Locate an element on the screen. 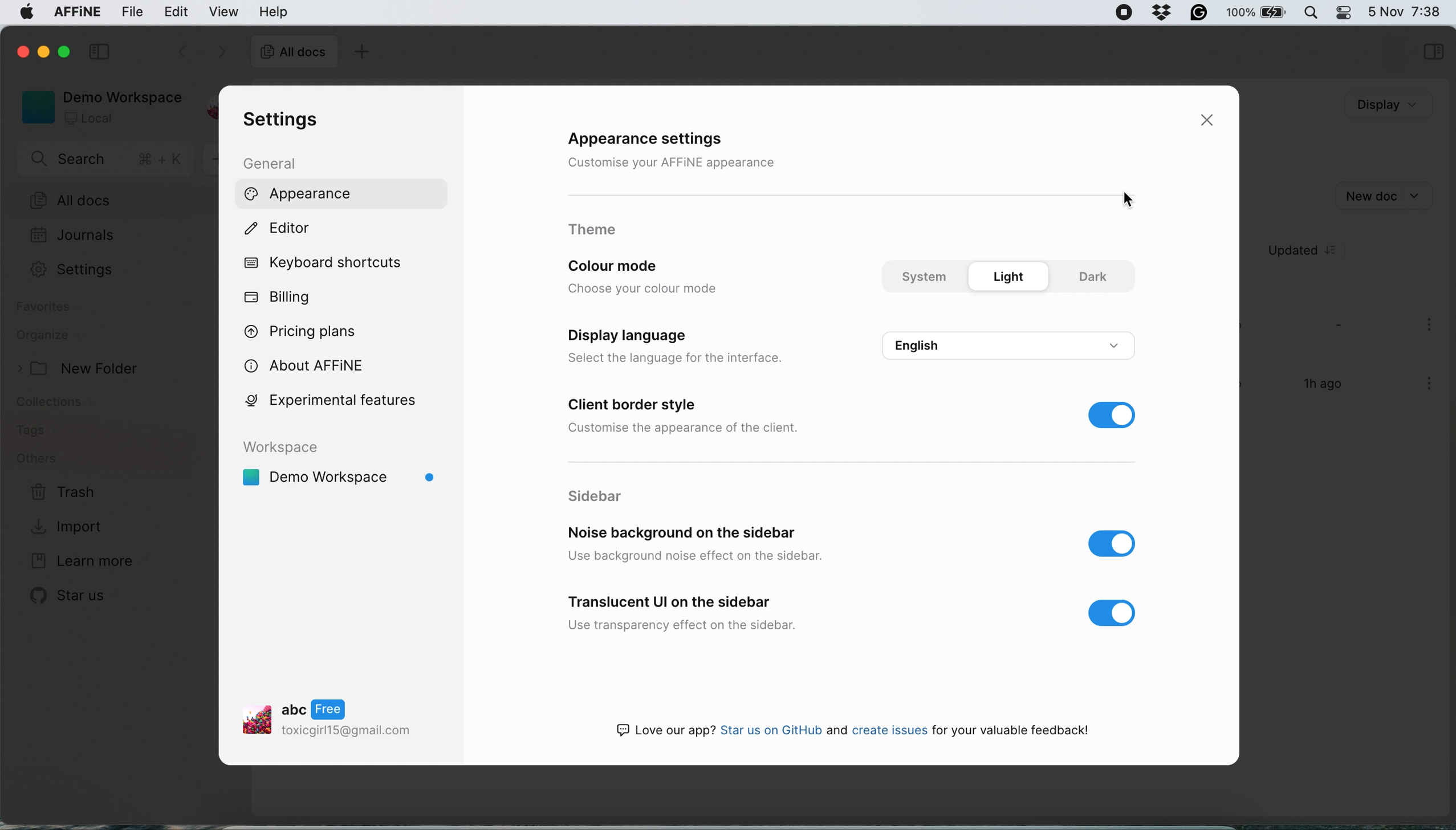  cursor is located at coordinates (1133, 202).